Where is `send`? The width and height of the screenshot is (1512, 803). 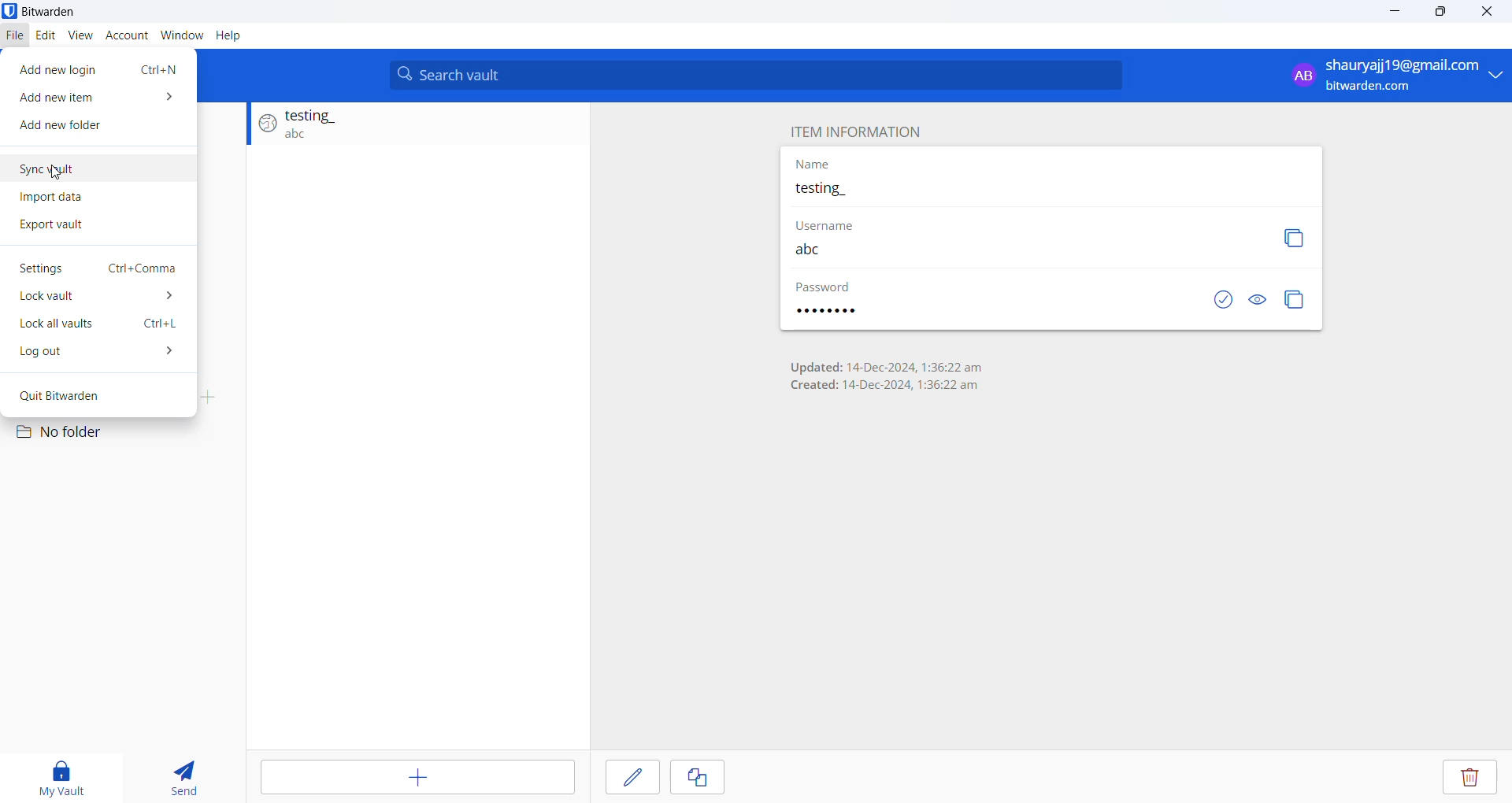
send is located at coordinates (186, 774).